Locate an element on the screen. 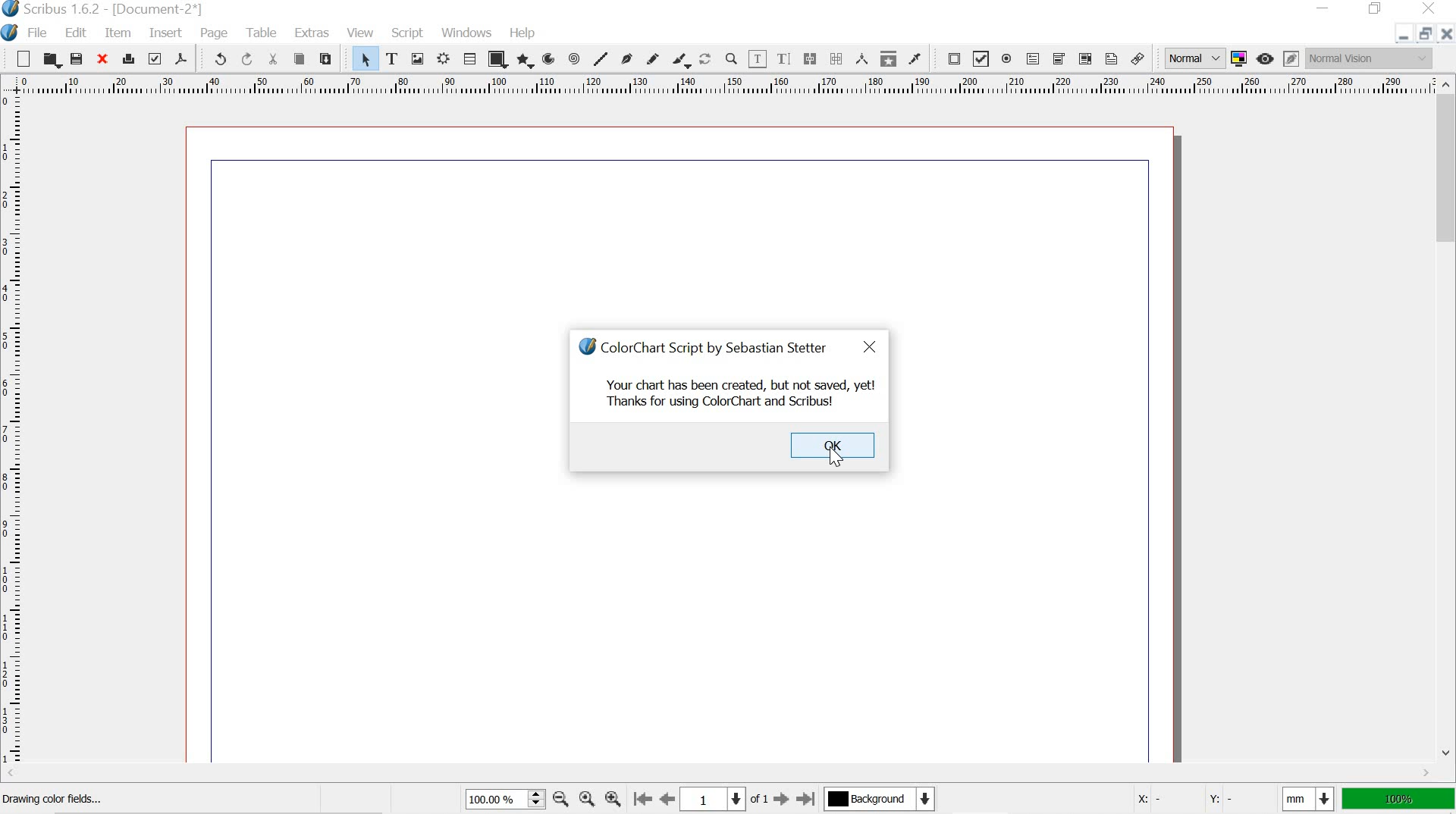 This screenshot has width=1456, height=814. edit text with story editor is located at coordinates (783, 60).